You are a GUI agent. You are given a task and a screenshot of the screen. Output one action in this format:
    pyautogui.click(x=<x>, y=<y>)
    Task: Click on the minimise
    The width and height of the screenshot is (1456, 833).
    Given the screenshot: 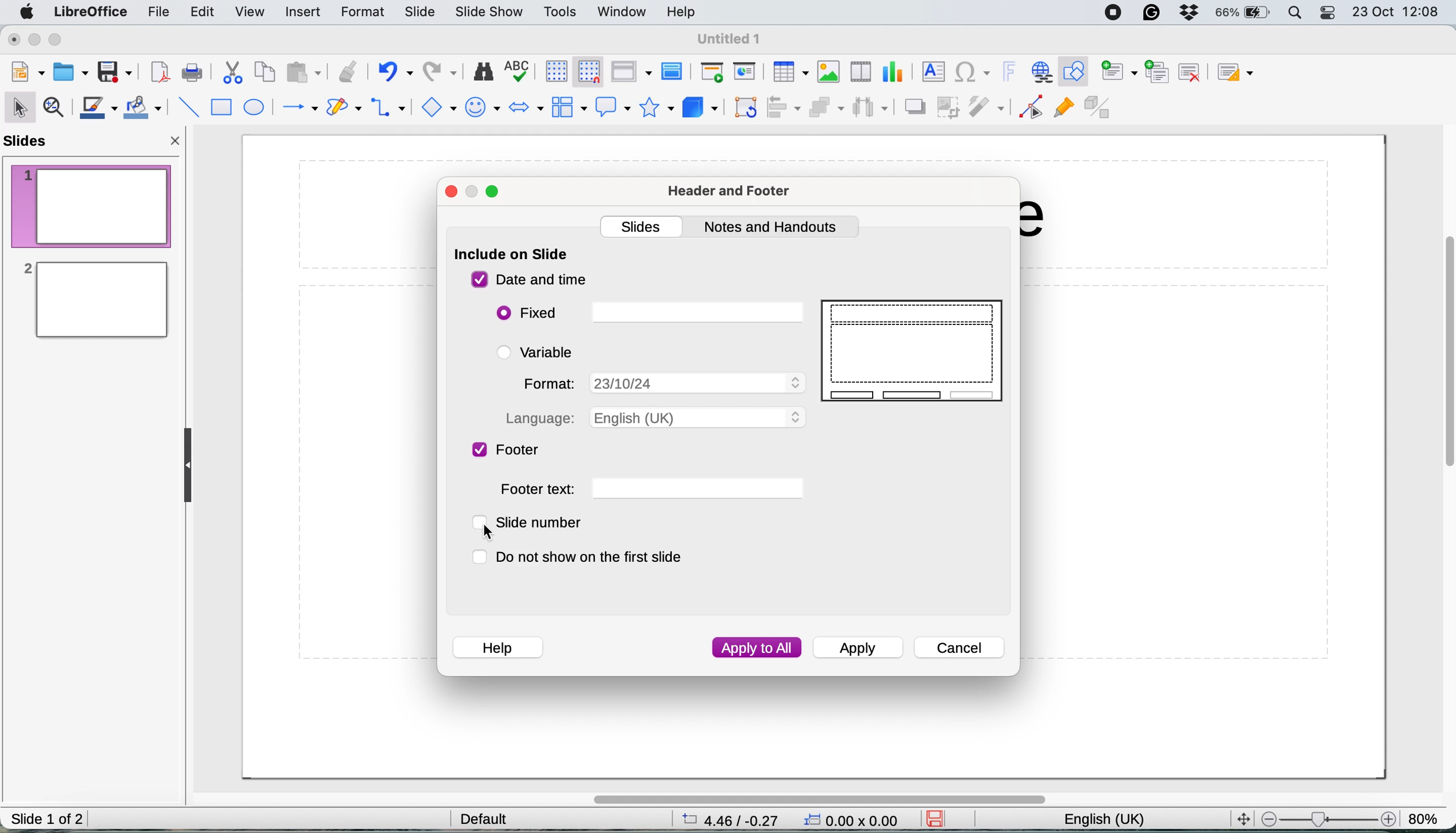 What is the action you would take?
    pyautogui.click(x=36, y=41)
    